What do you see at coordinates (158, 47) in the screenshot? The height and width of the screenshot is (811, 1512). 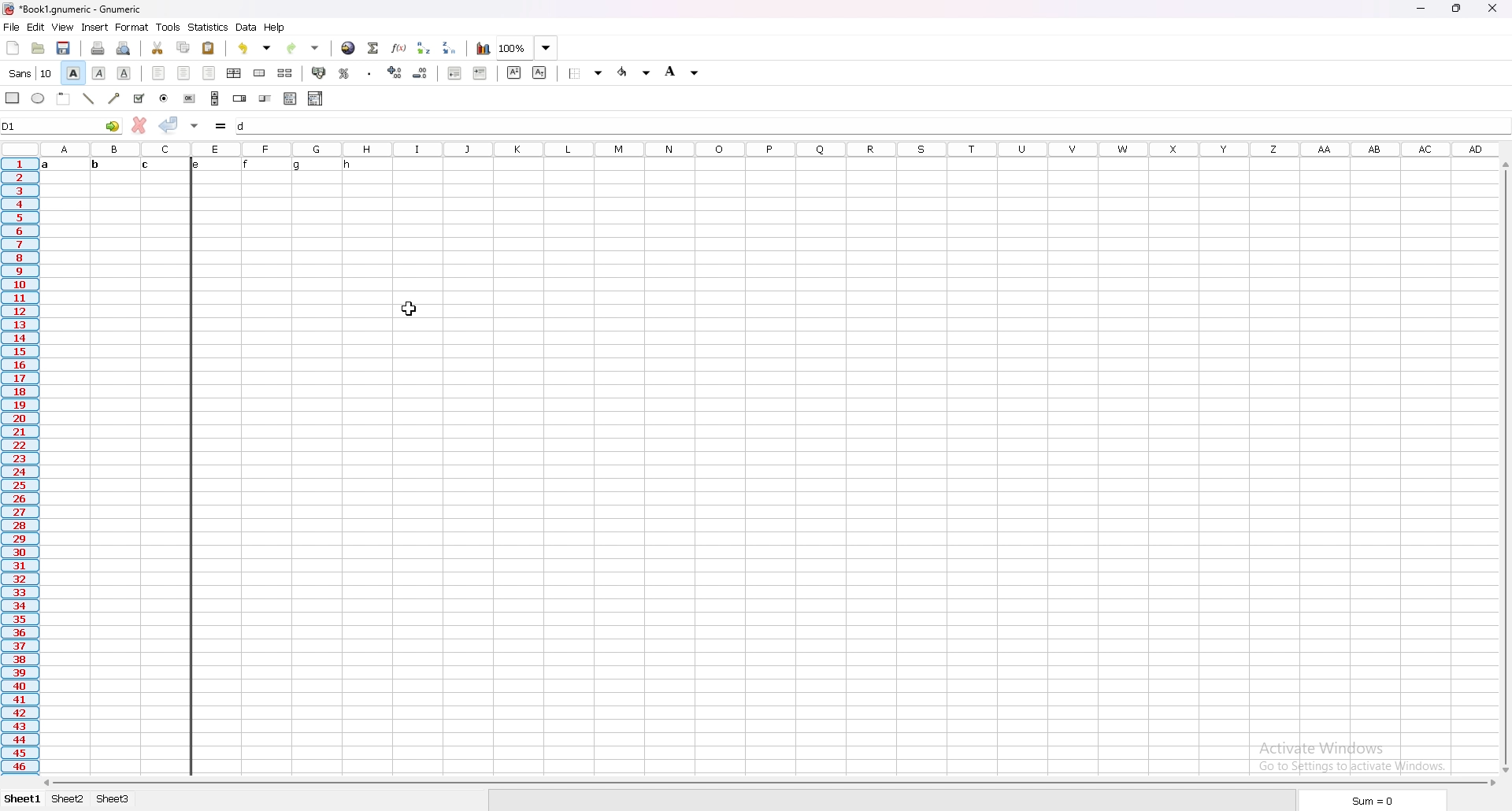 I see `cut` at bounding box center [158, 47].